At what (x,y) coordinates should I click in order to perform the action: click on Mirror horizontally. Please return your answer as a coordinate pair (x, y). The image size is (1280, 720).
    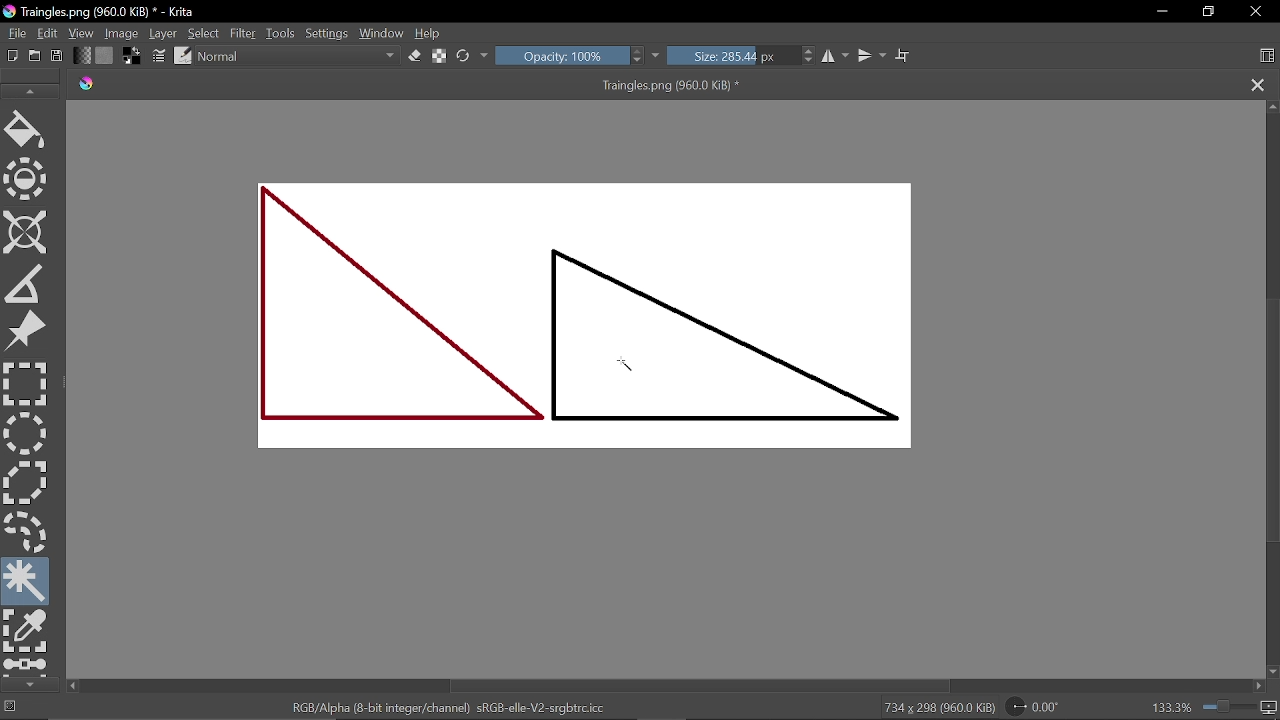
    Looking at the image, I should click on (836, 55).